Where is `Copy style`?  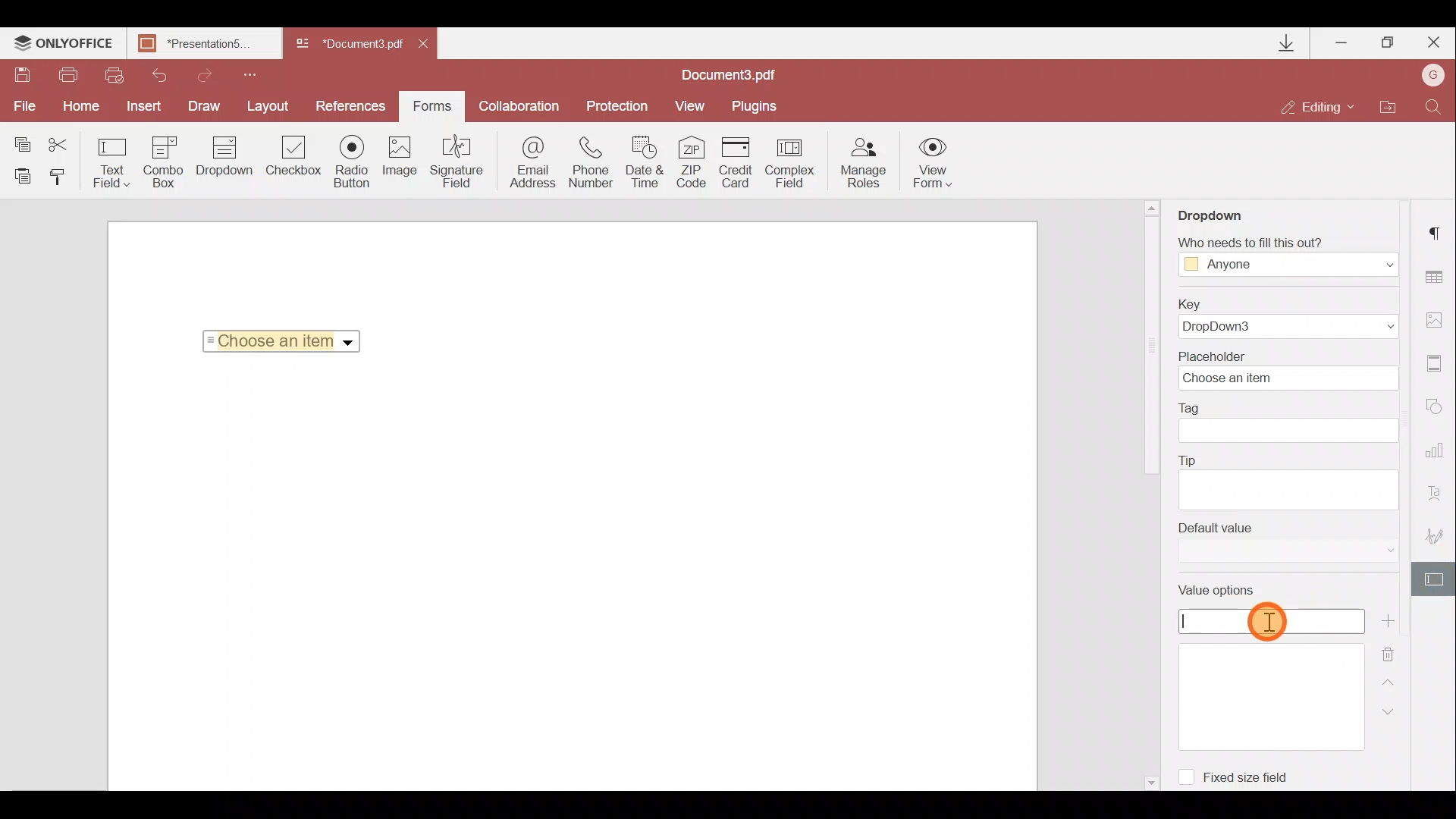
Copy style is located at coordinates (63, 180).